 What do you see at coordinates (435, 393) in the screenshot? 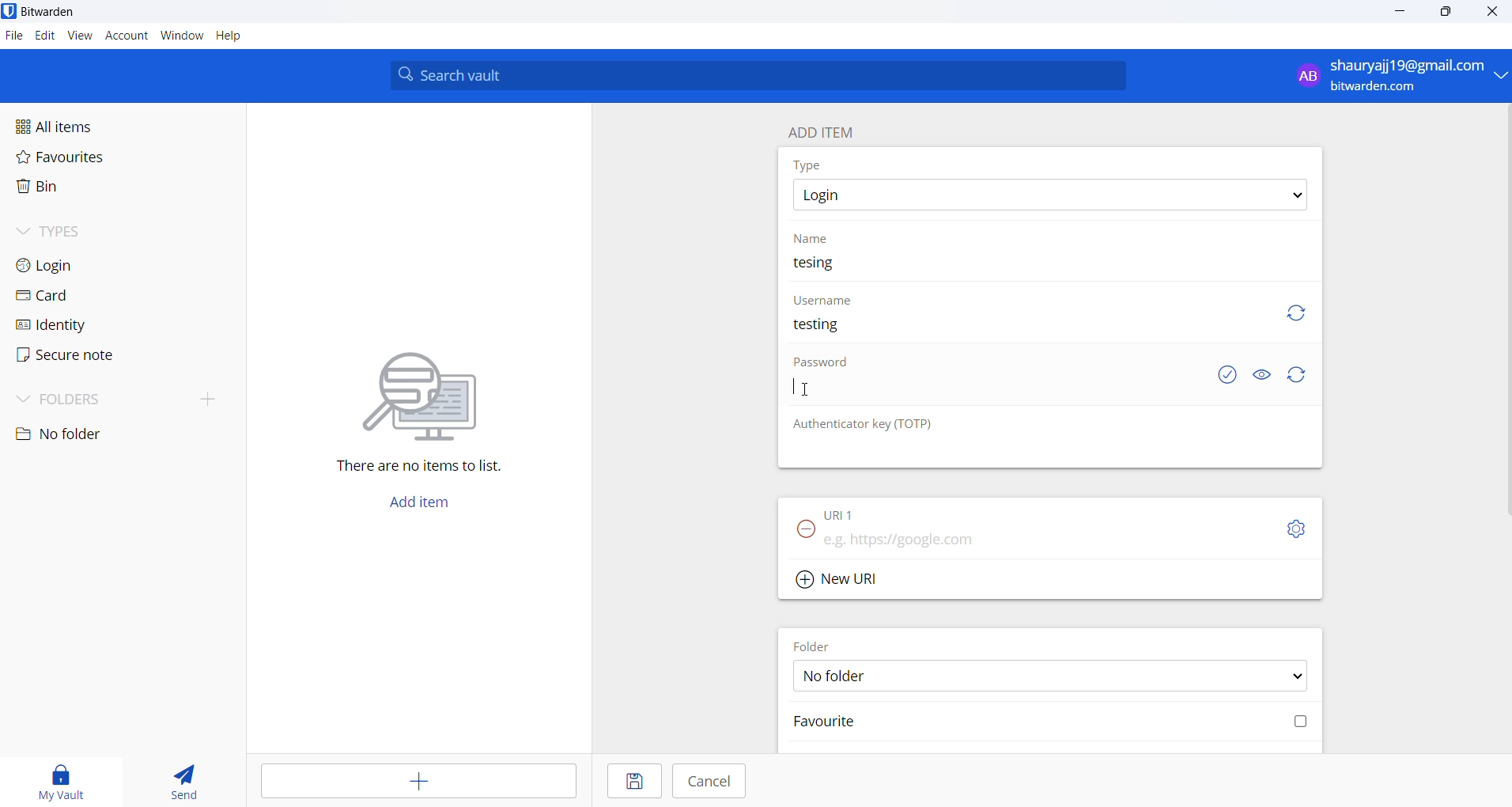
I see `graphical illustration conveying searching for a file` at bounding box center [435, 393].